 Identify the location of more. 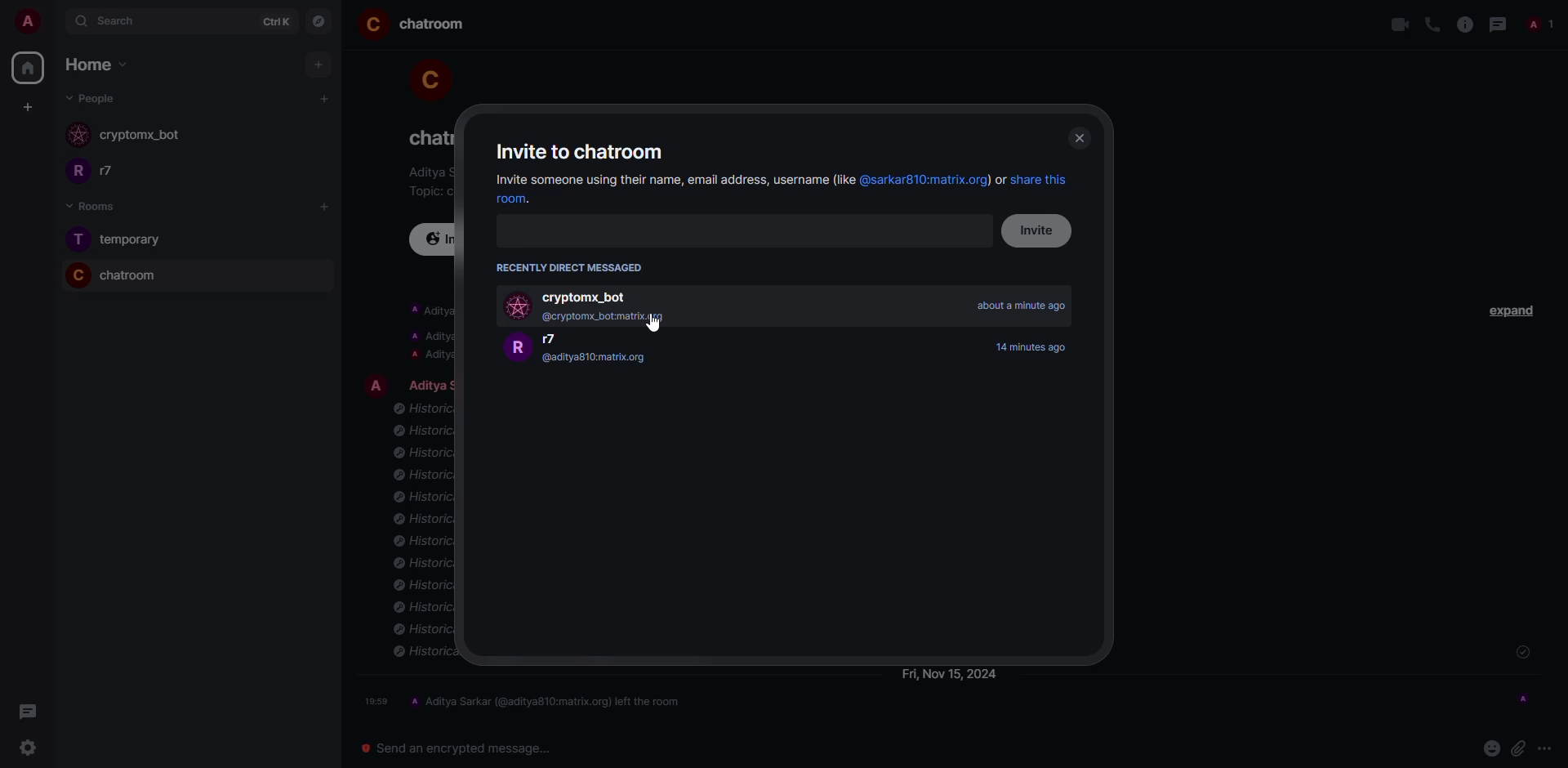
(1547, 748).